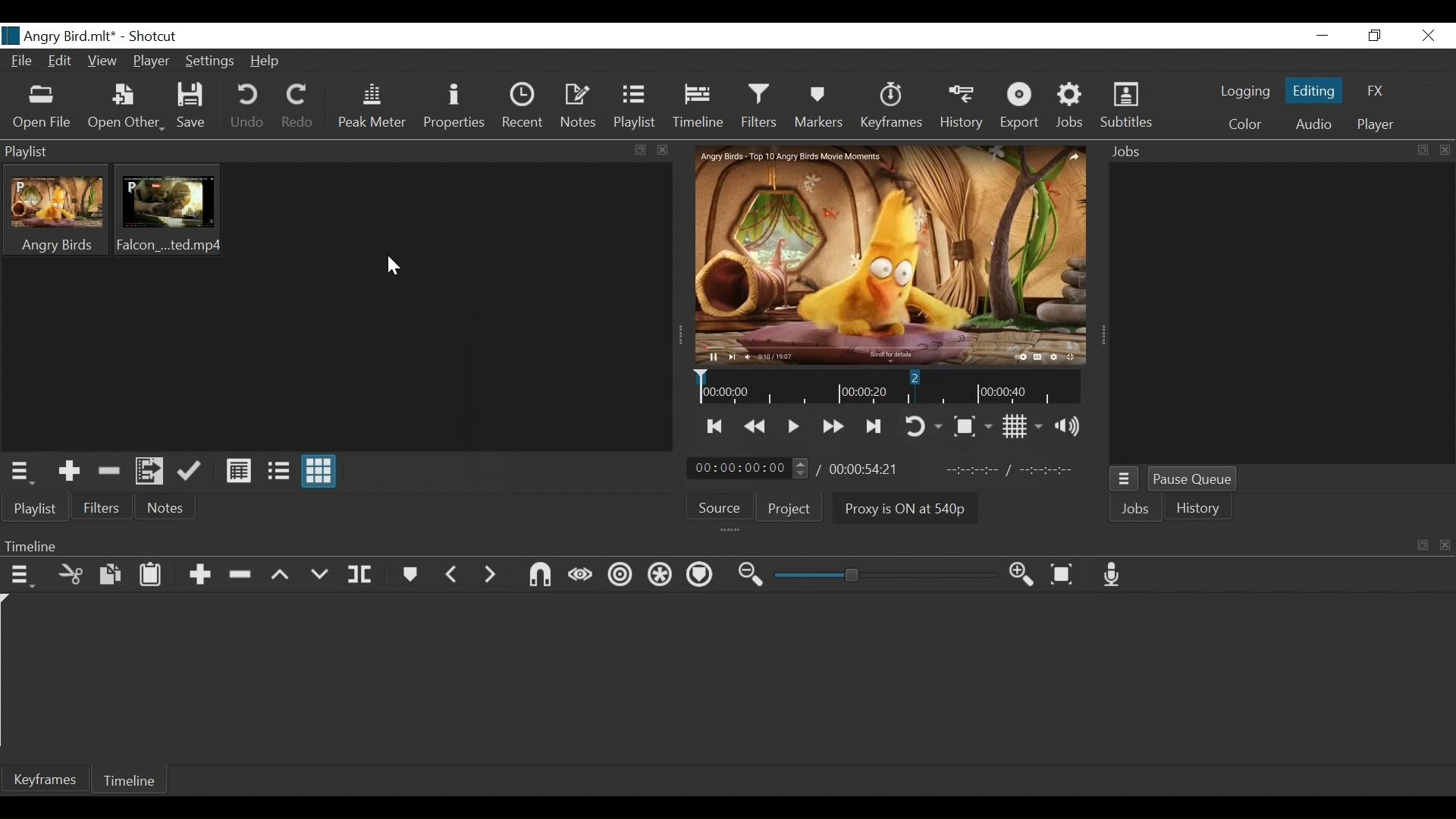 Image resolution: width=1456 pixels, height=819 pixels. What do you see at coordinates (149, 471) in the screenshot?
I see `Add files to the playlist` at bounding box center [149, 471].